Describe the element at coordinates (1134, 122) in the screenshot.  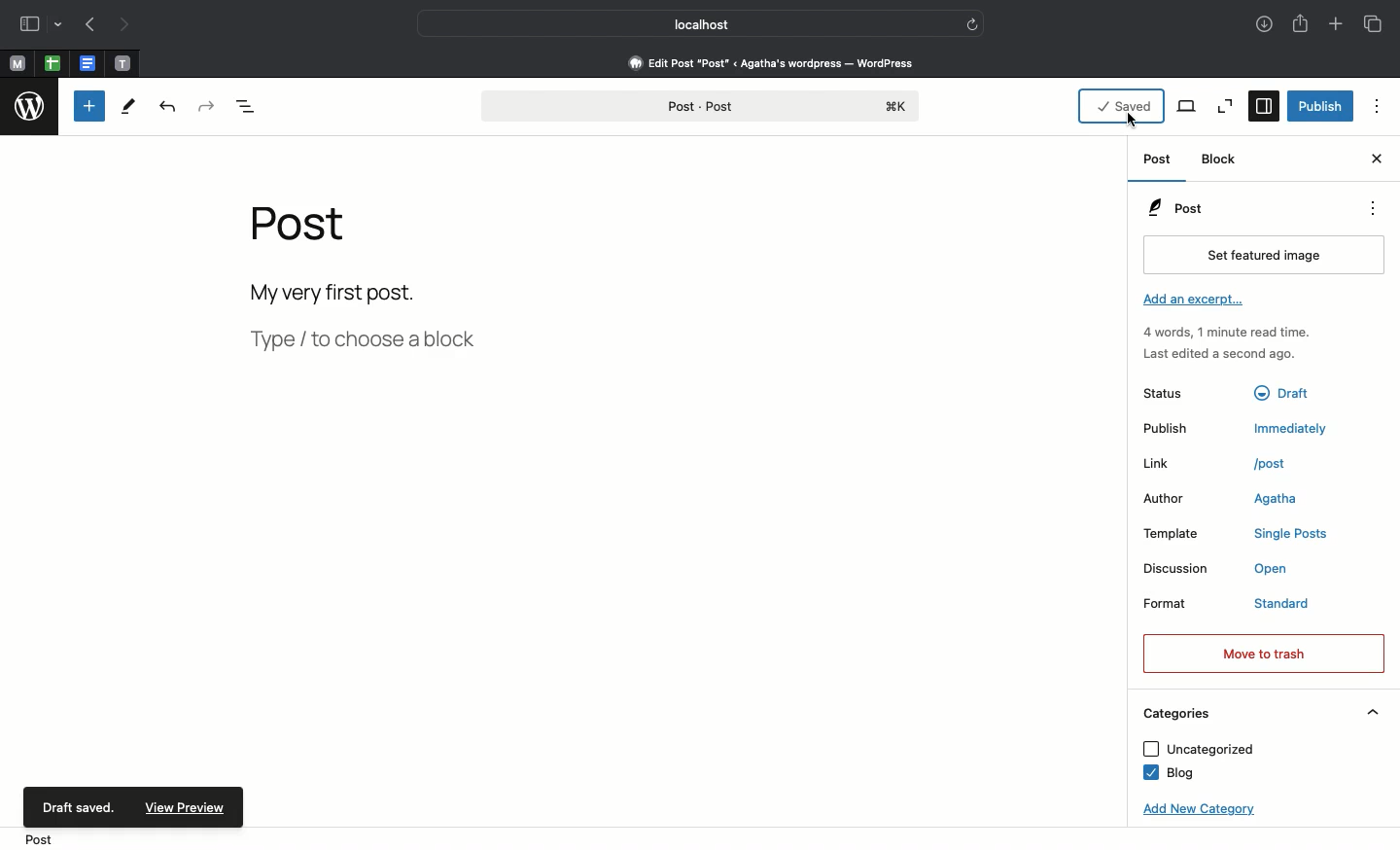
I see `cursor` at that location.